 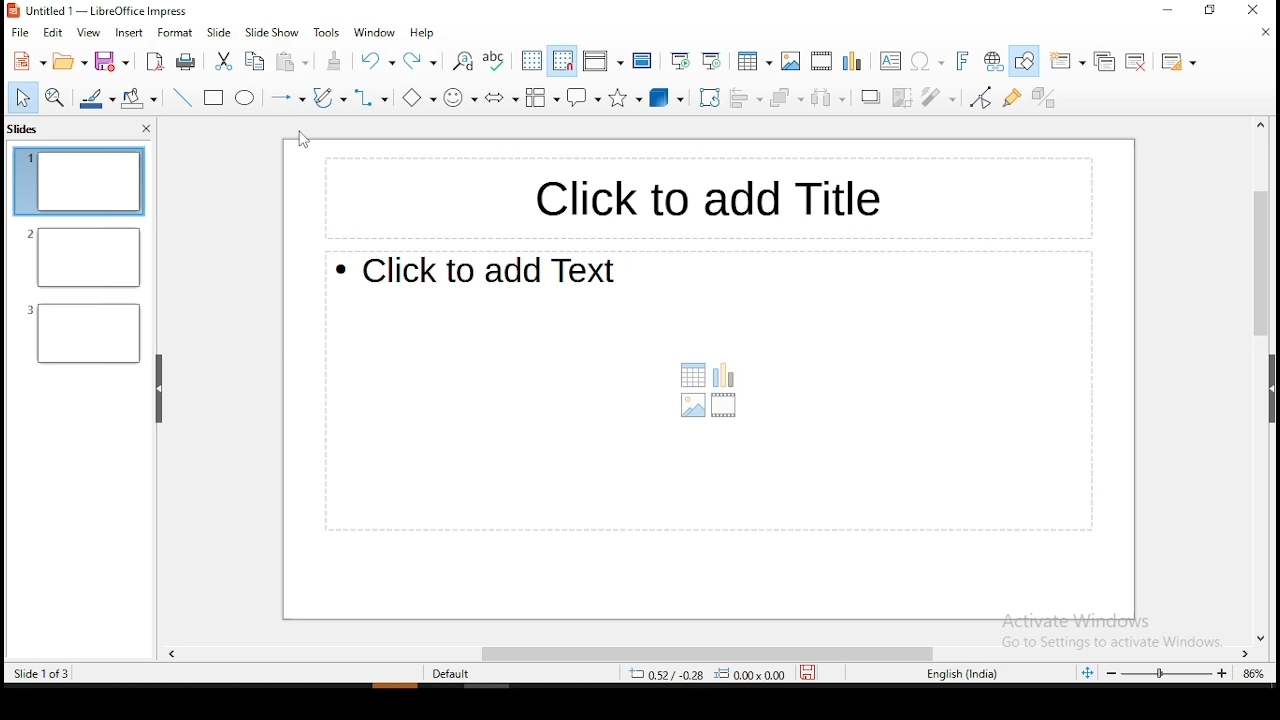 What do you see at coordinates (272, 32) in the screenshot?
I see `slide show` at bounding box center [272, 32].